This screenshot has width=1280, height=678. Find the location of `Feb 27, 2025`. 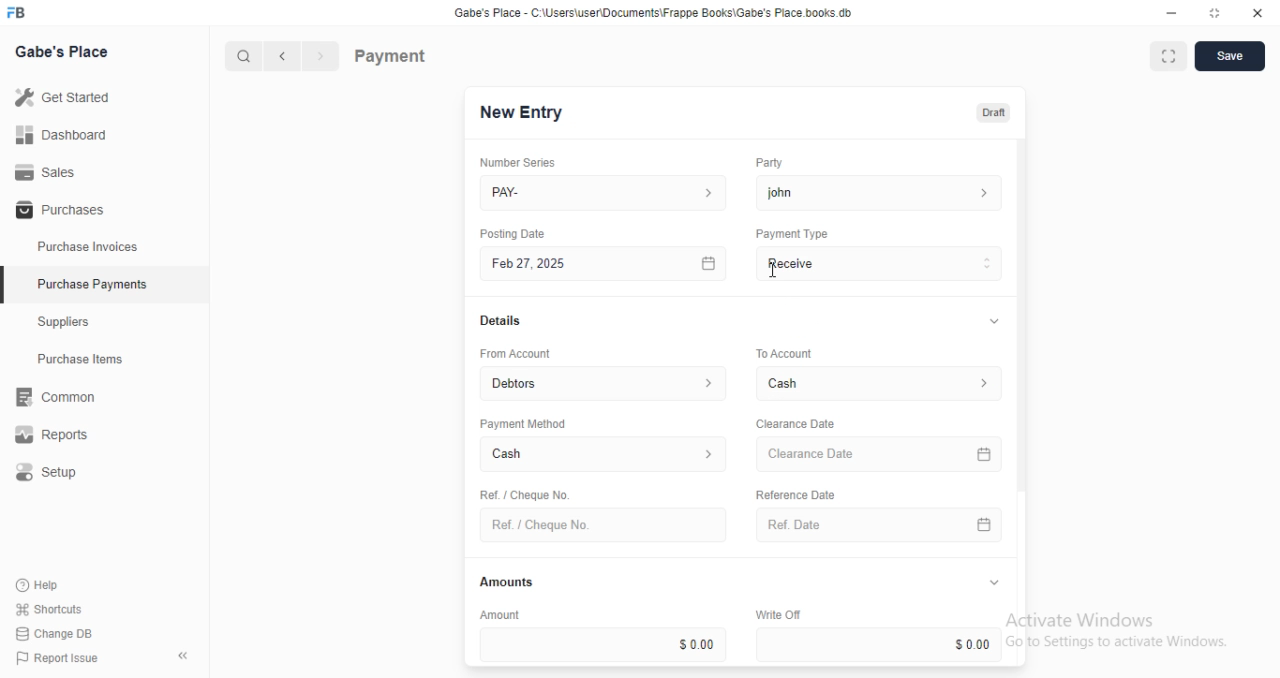

Feb 27, 2025 is located at coordinates (606, 264).